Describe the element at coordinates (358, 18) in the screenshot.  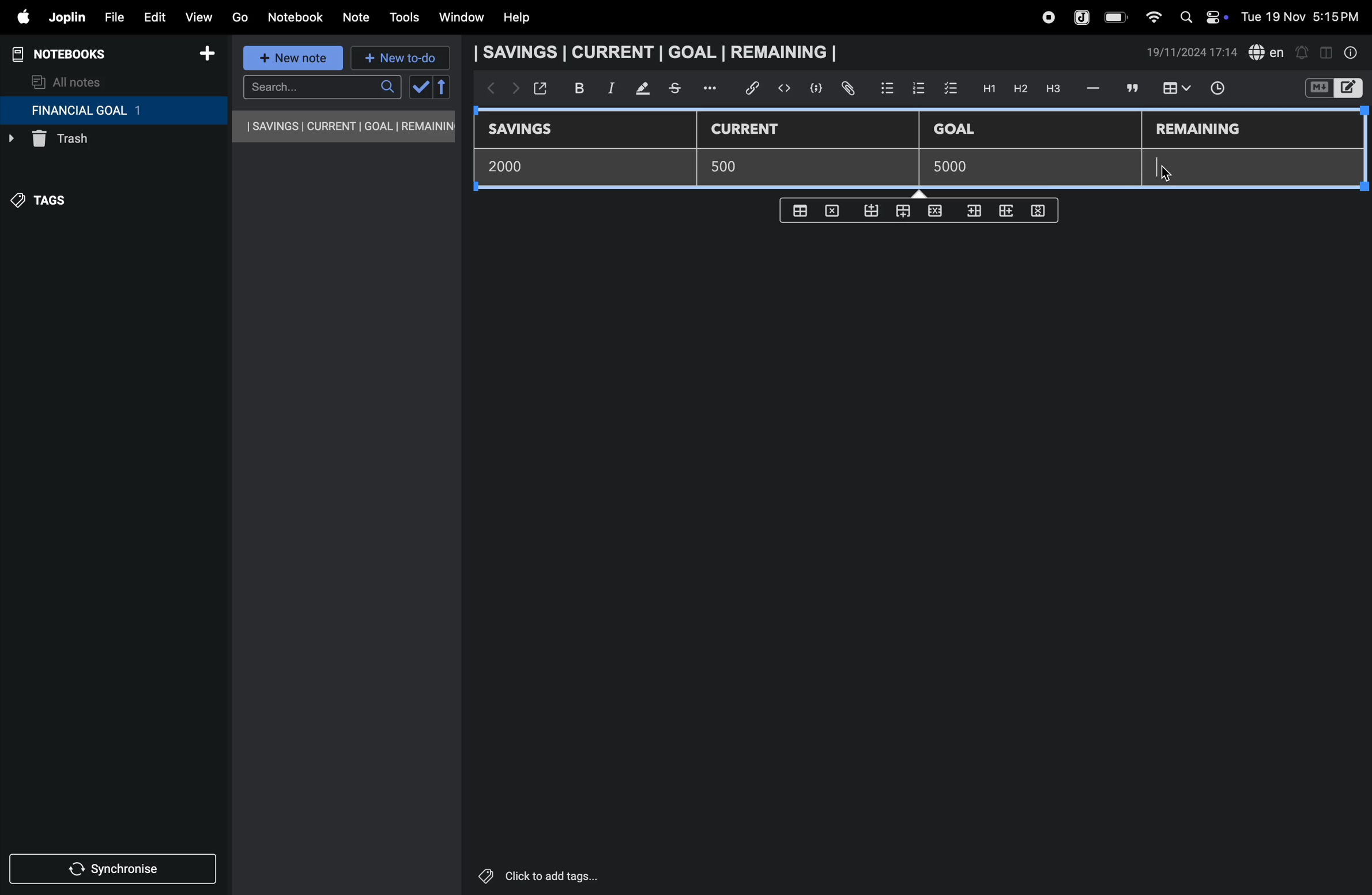
I see `note` at that location.